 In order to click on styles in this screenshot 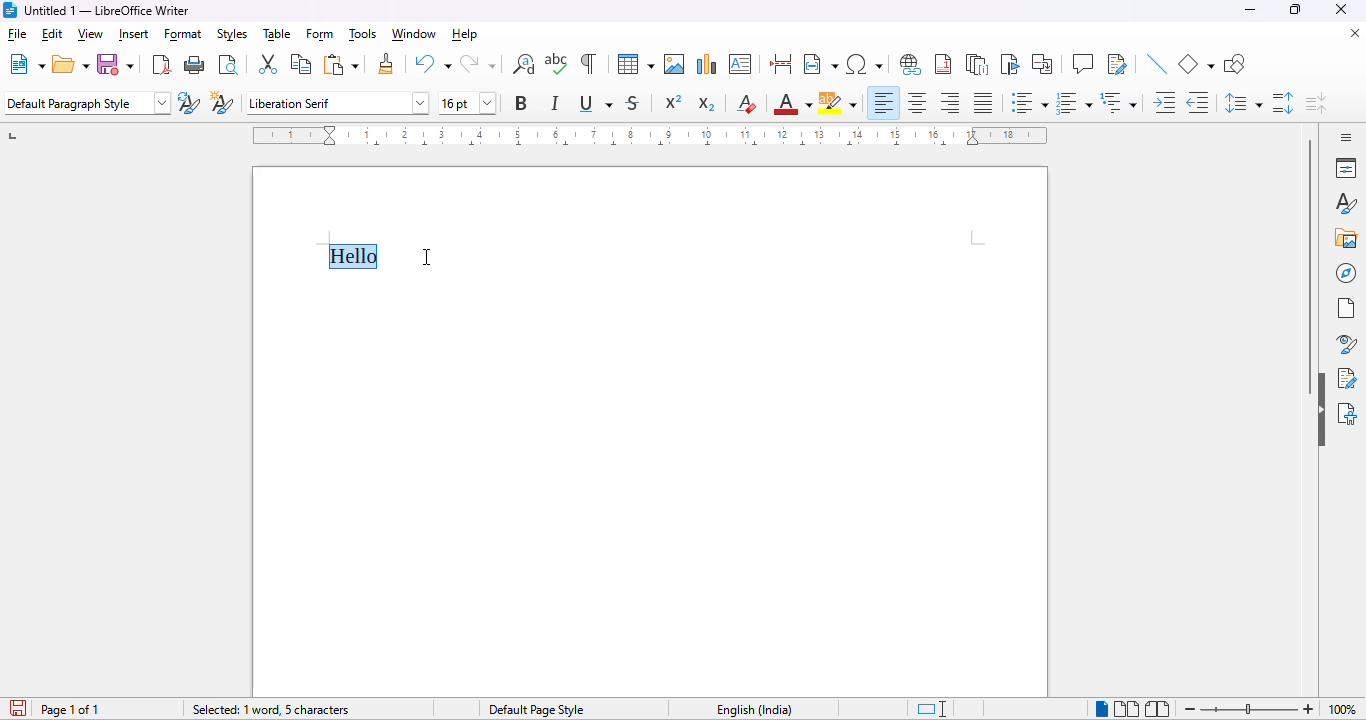, I will do `click(232, 34)`.